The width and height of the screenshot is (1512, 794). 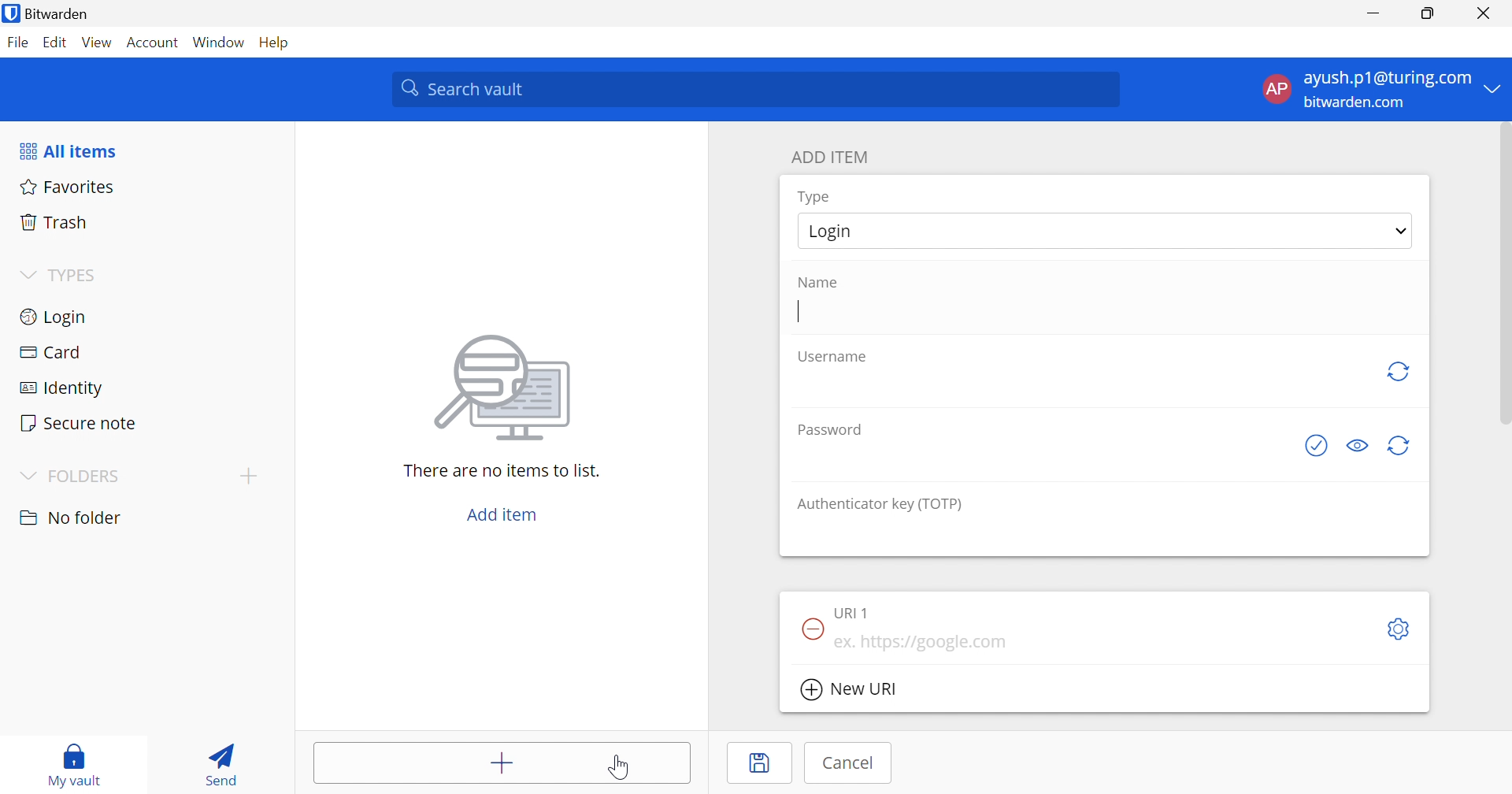 What do you see at coordinates (835, 429) in the screenshot?
I see `Password` at bounding box center [835, 429].